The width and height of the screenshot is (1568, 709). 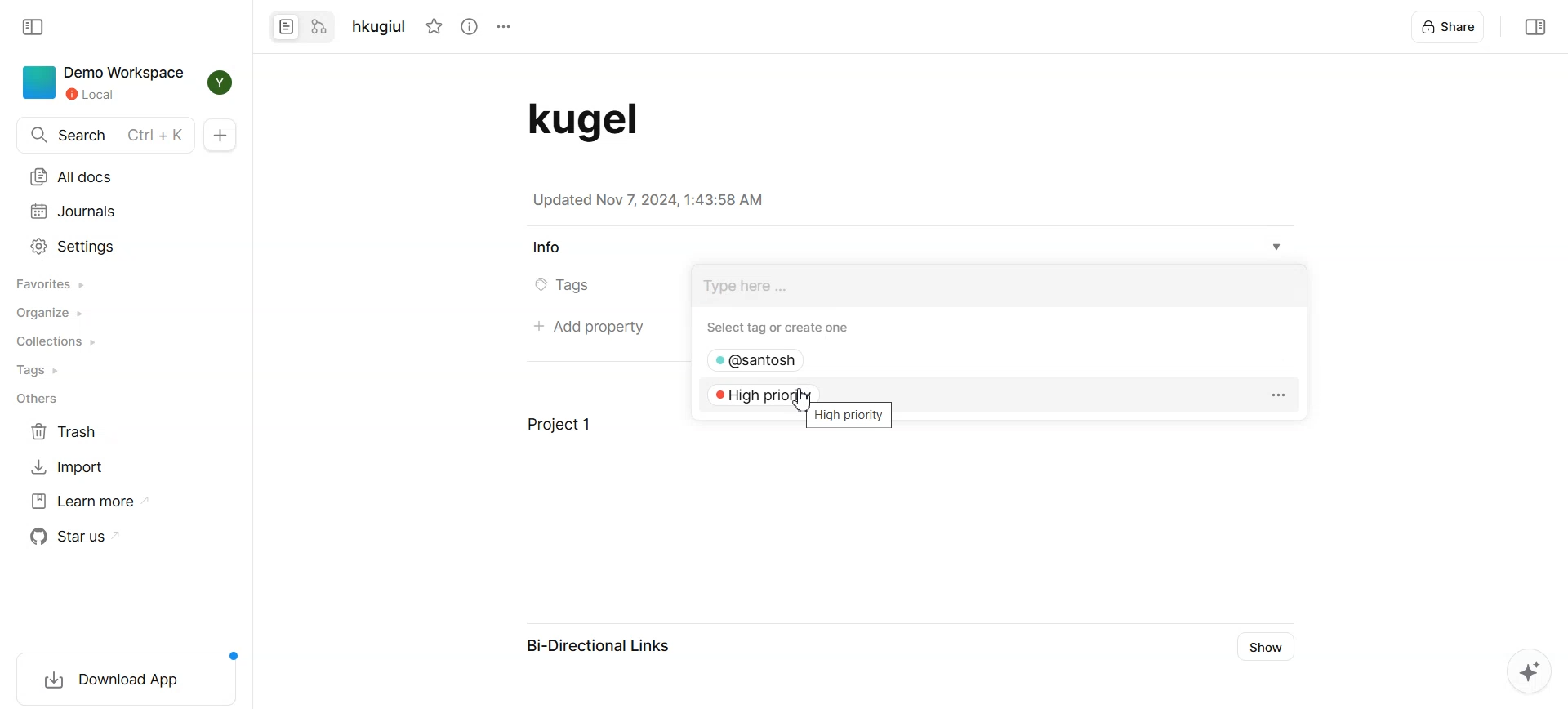 What do you see at coordinates (69, 466) in the screenshot?
I see `Import` at bounding box center [69, 466].